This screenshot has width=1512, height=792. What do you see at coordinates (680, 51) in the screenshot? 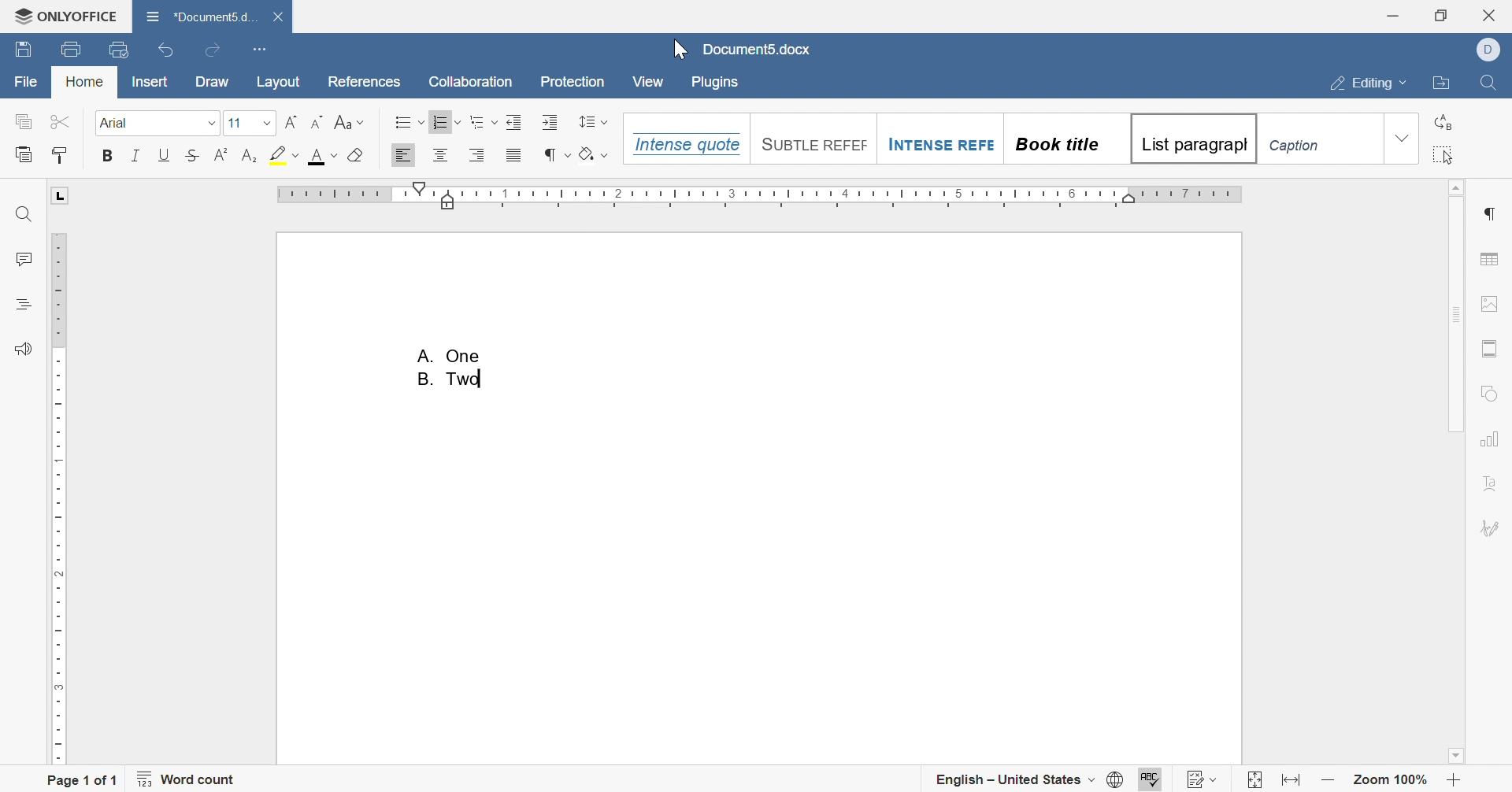
I see `Cursor` at bounding box center [680, 51].